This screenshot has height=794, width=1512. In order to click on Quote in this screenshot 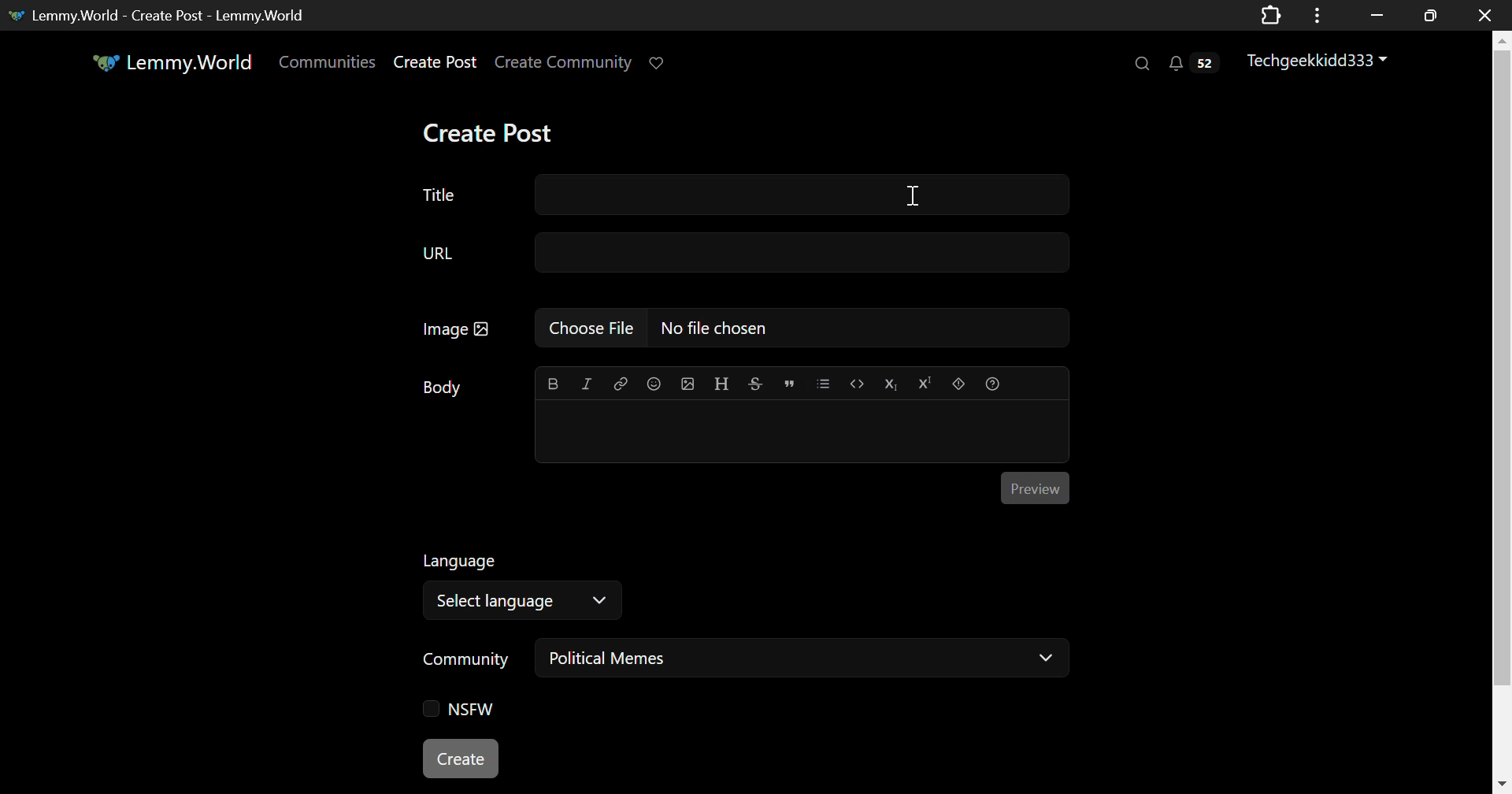, I will do `click(788, 382)`.